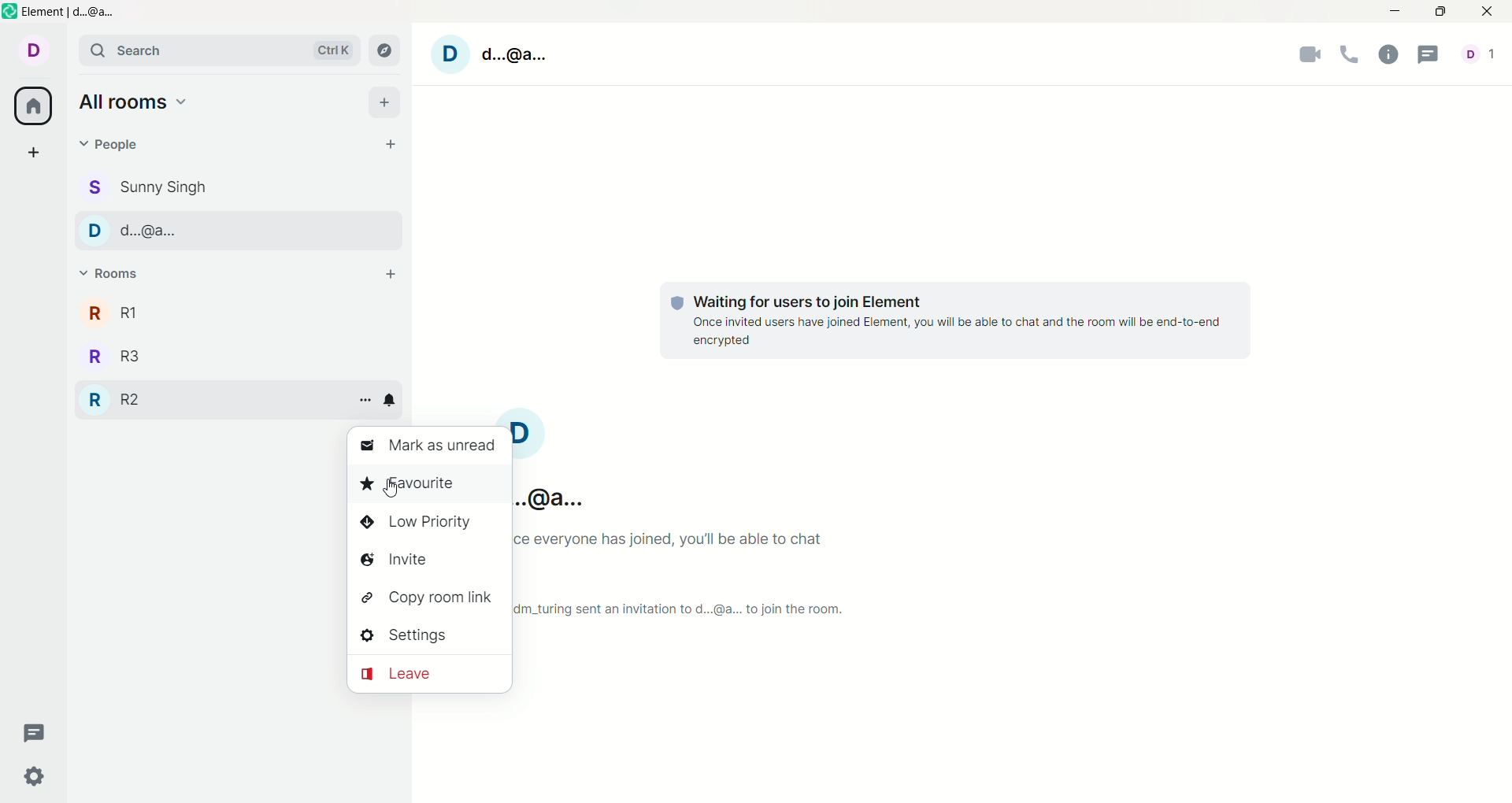 This screenshot has height=803, width=1512. Describe the element at coordinates (395, 145) in the screenshot. I see `start chat` at that location.